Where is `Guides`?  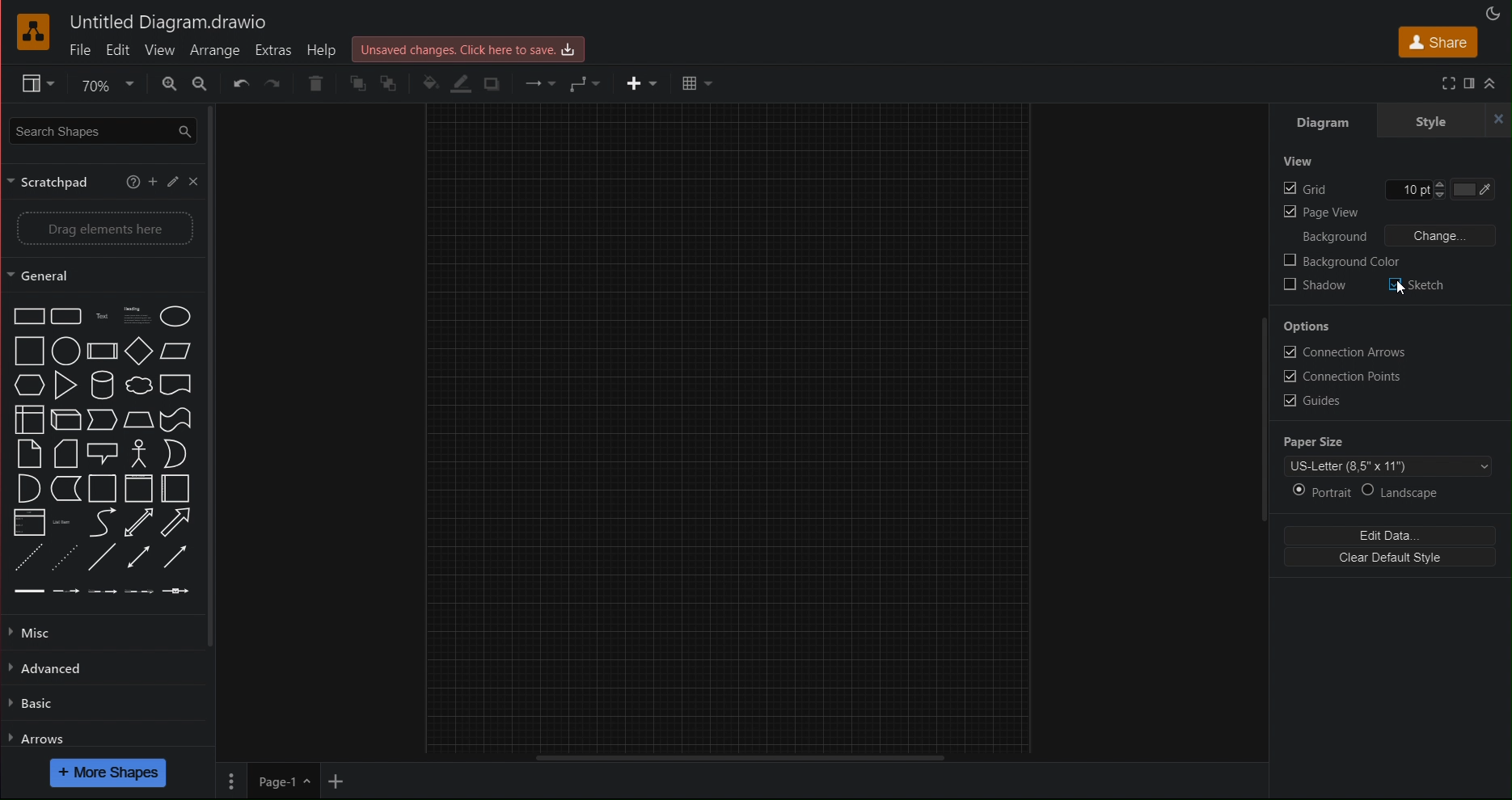
Guides is located at coordinates (1334, 402).